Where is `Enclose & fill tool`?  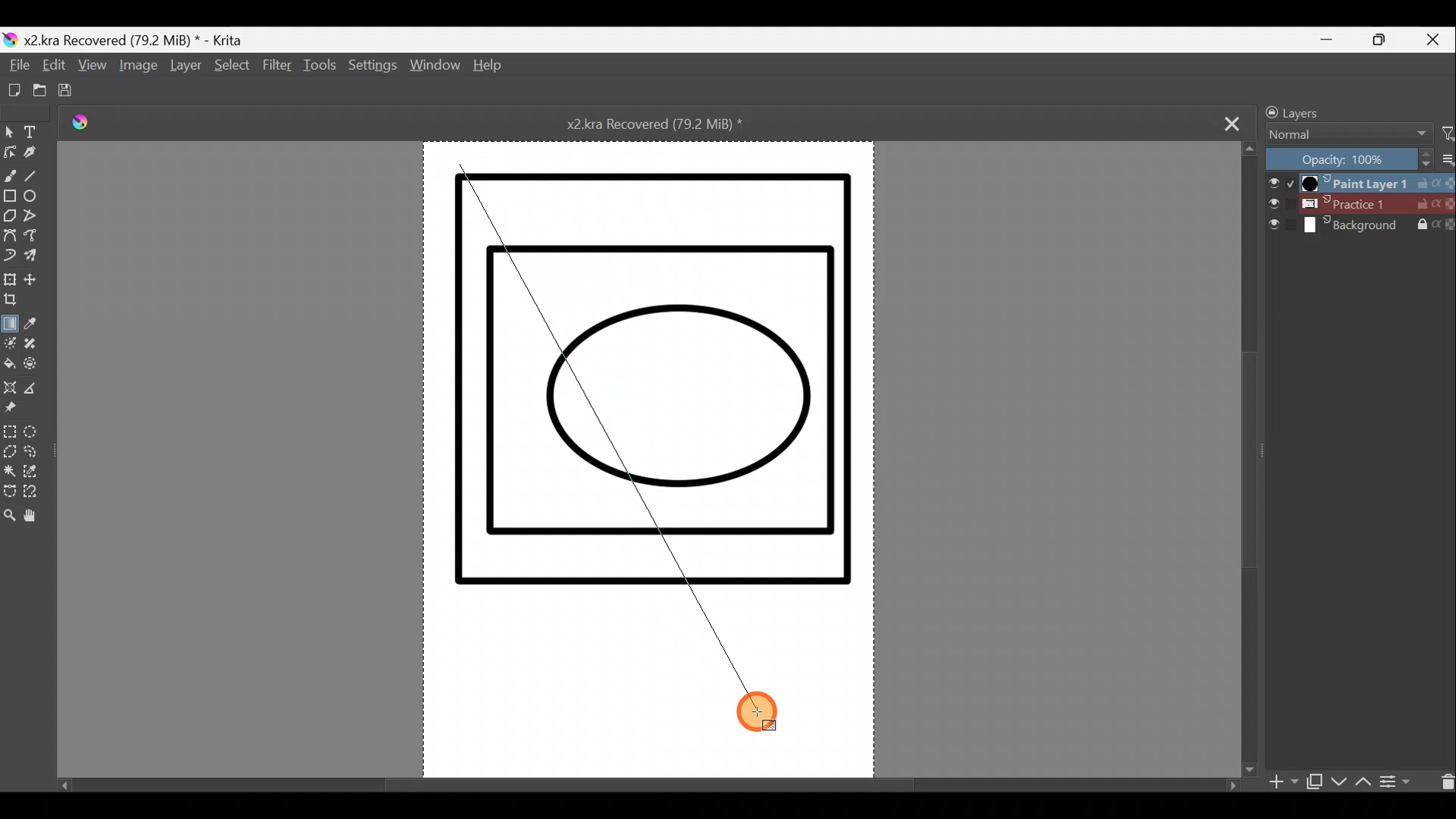
Enclose & fill tool is located at coordinates (39, 367).